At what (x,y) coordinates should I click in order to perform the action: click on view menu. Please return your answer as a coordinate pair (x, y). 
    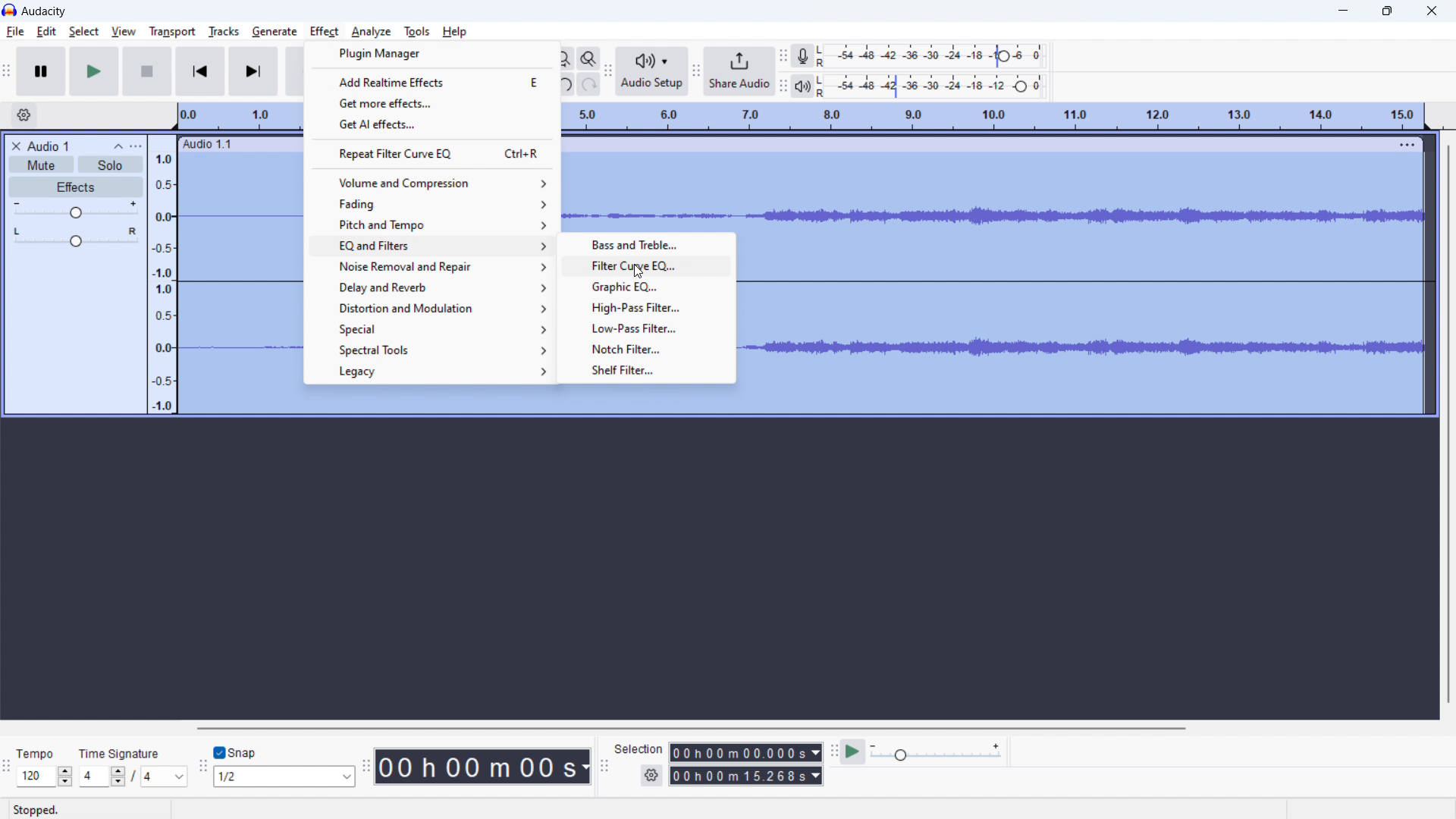
    Looking at the image, I should click on (136, 146).